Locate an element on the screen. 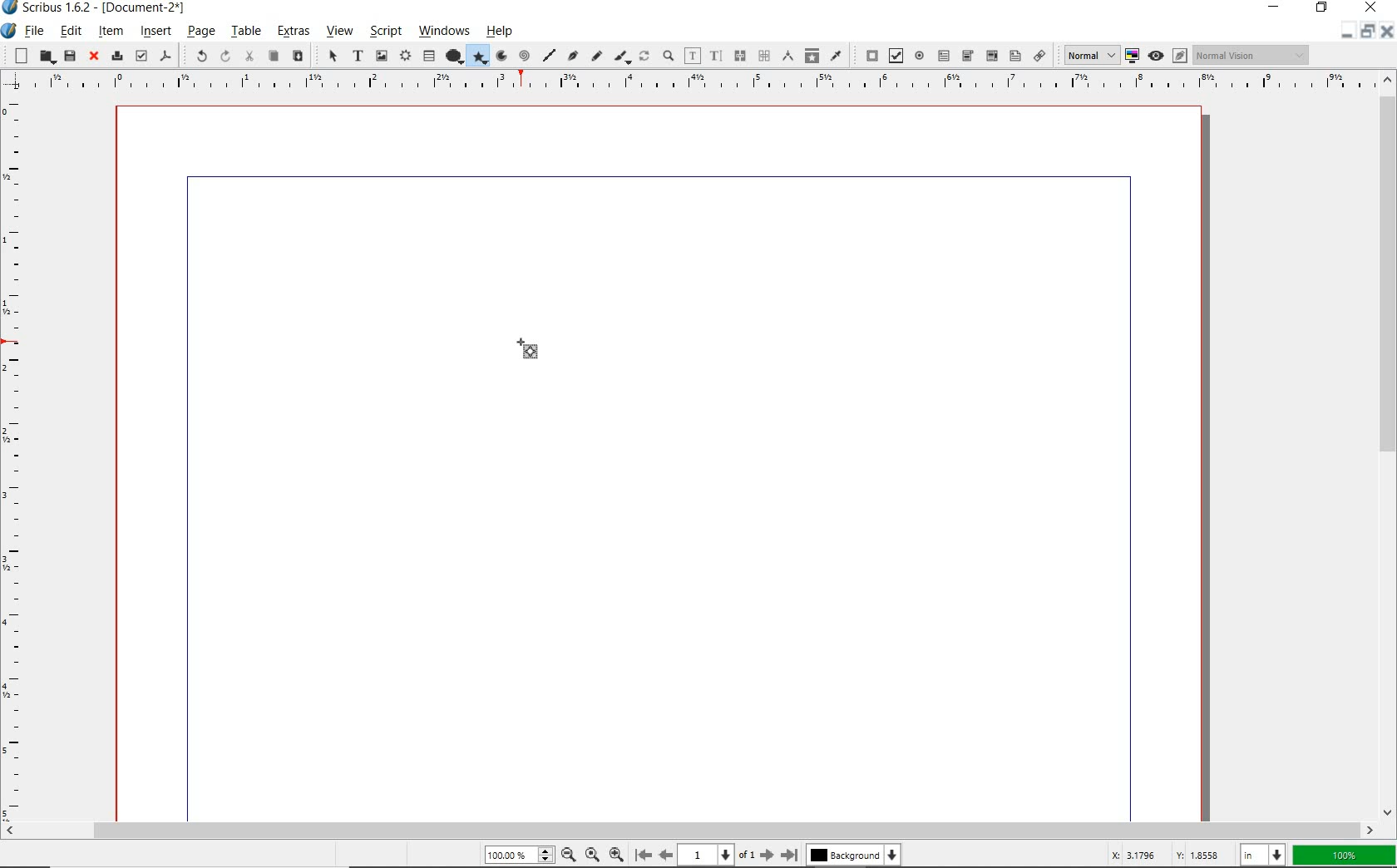  link text frames is located at coordinates (739, 56).